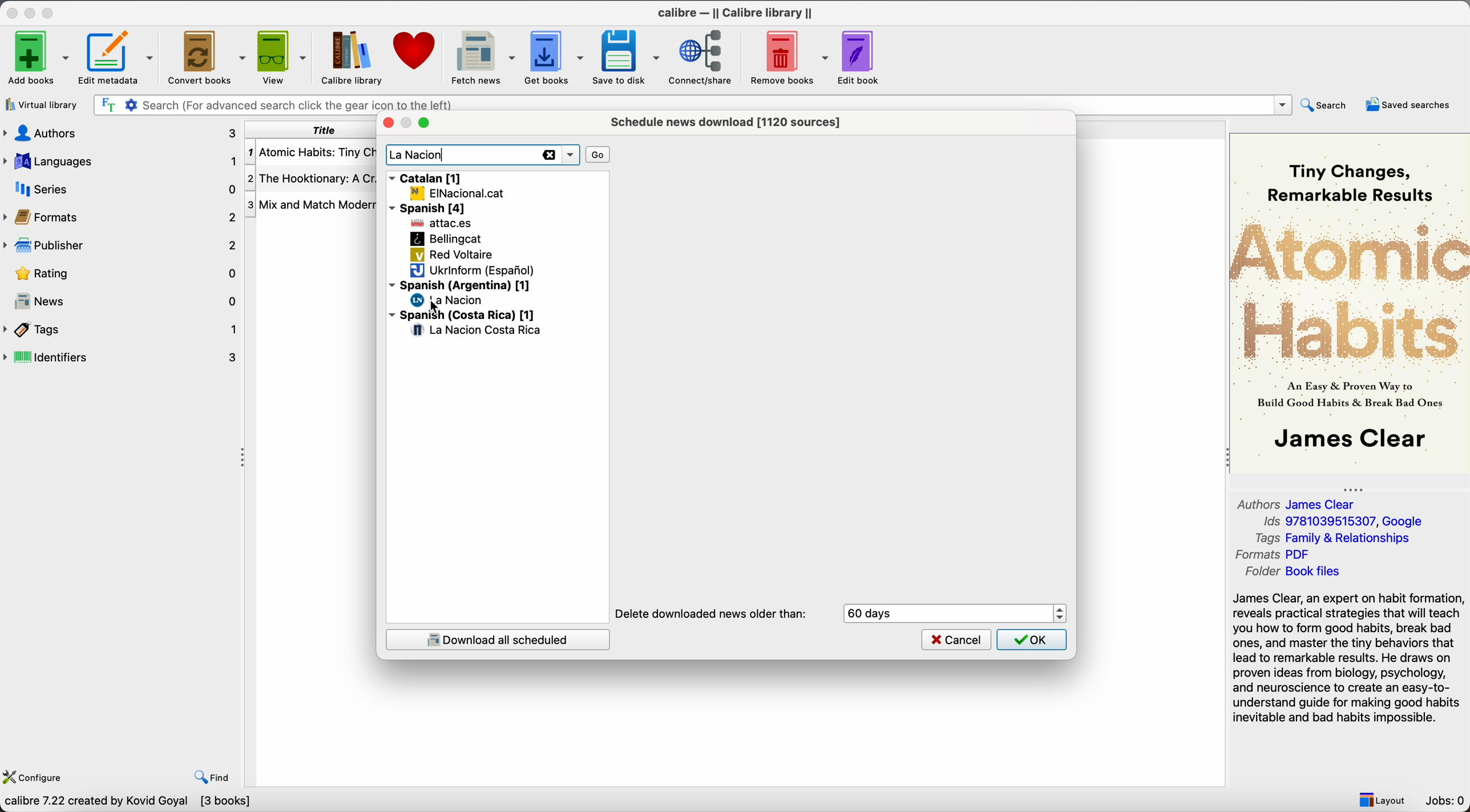  Describe the element at coordinates (41, 104) in the screenshot. I see `virtual library` at that location.